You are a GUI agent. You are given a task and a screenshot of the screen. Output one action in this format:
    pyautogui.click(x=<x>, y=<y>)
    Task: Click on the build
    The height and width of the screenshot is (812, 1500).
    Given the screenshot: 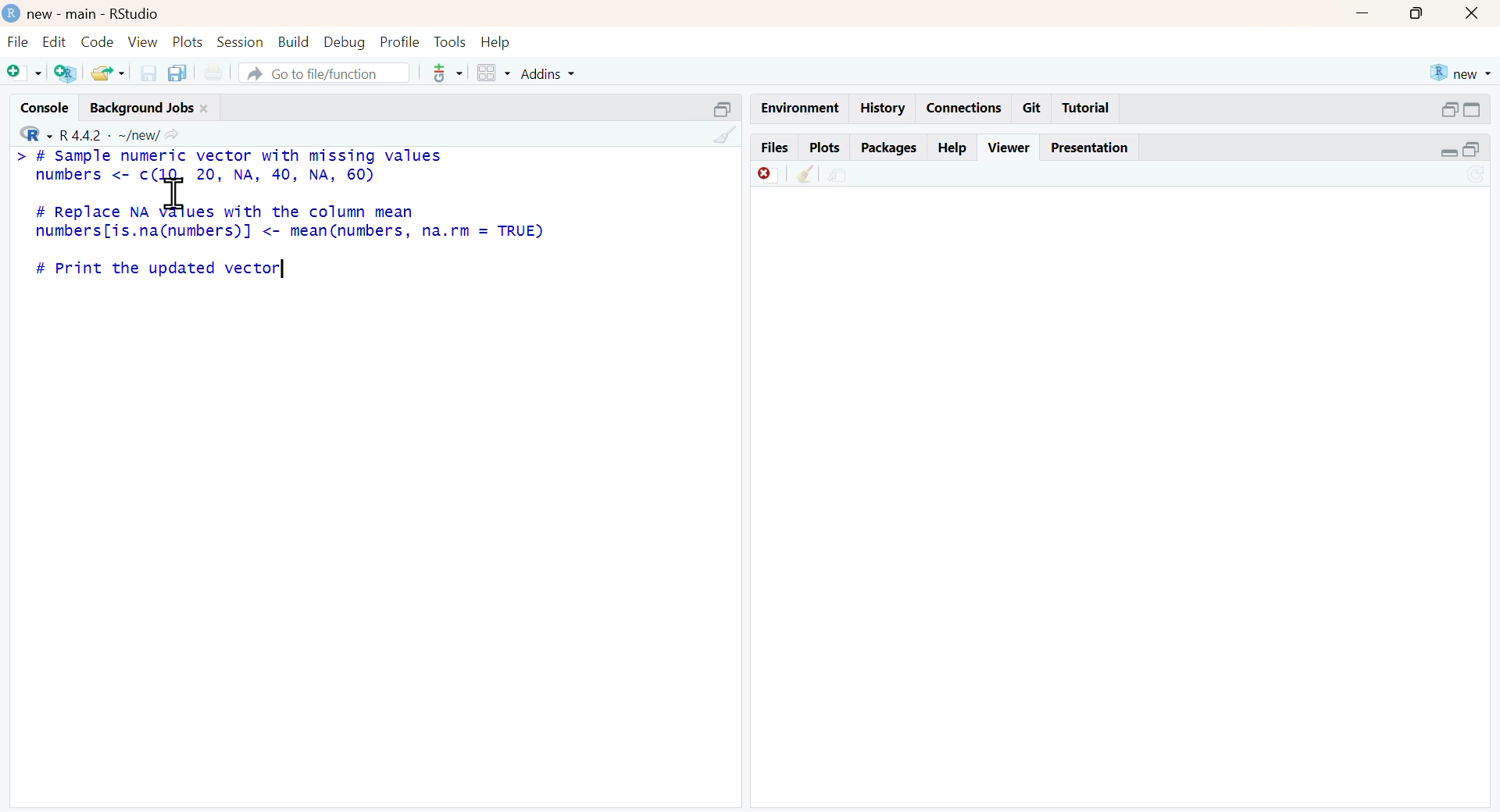 What is the action you would take?
    pyautogui.click(x=295, y=41)
    